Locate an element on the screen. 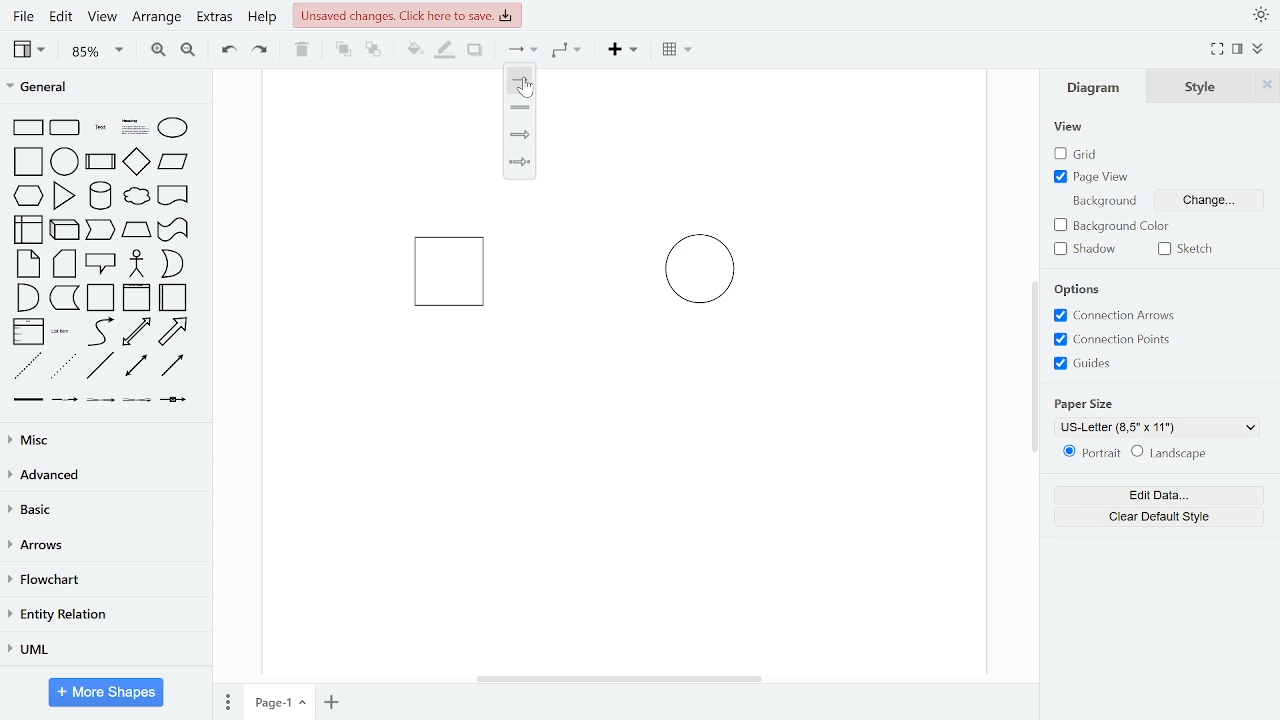 This screenshot has height=720, width=1280. simple arrow is located at coordinates (518, 163).